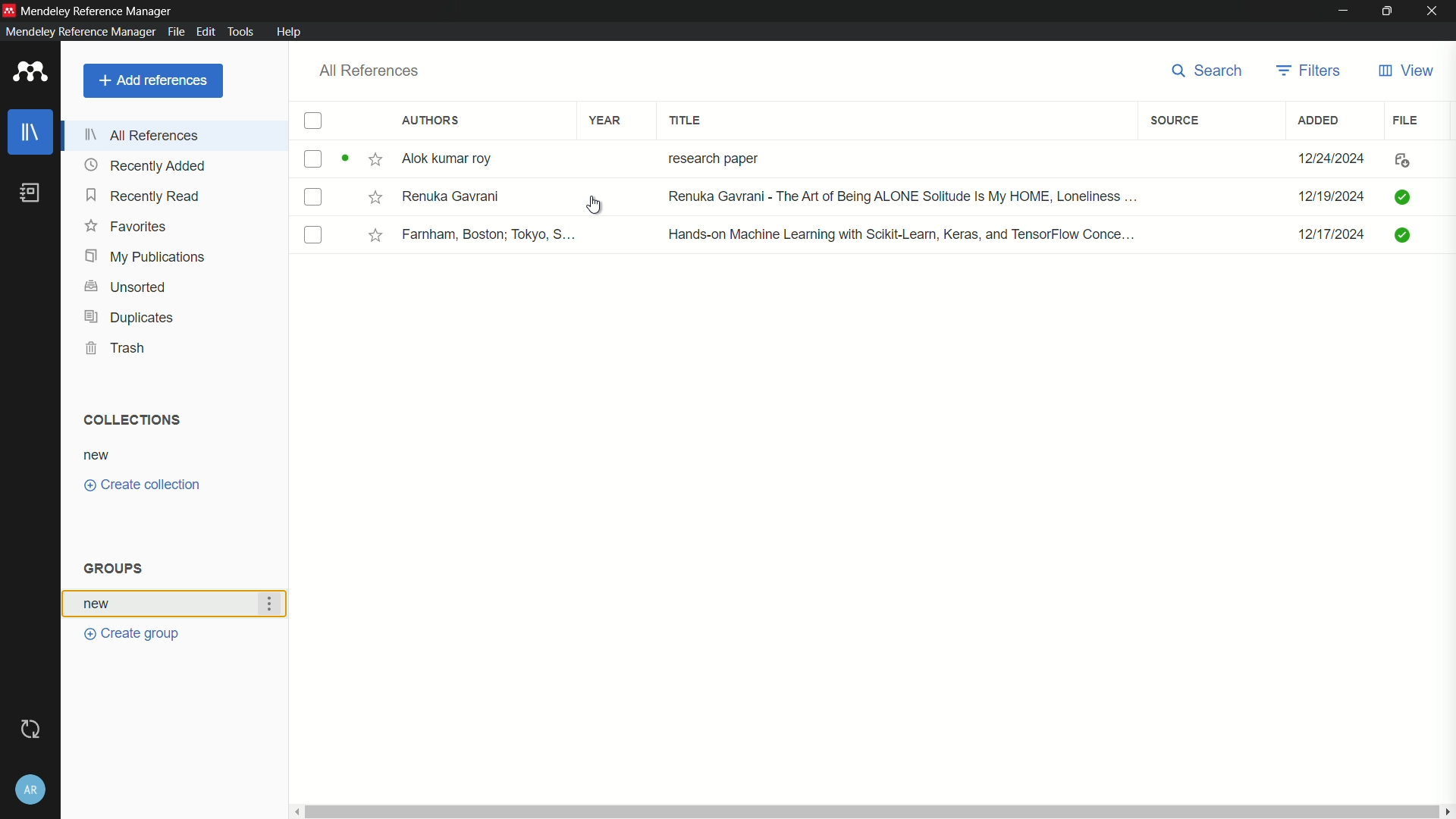  What do you see at coordinates (77, 32) in the screenshot?
I see `app name` at bounding box center [77, 32].